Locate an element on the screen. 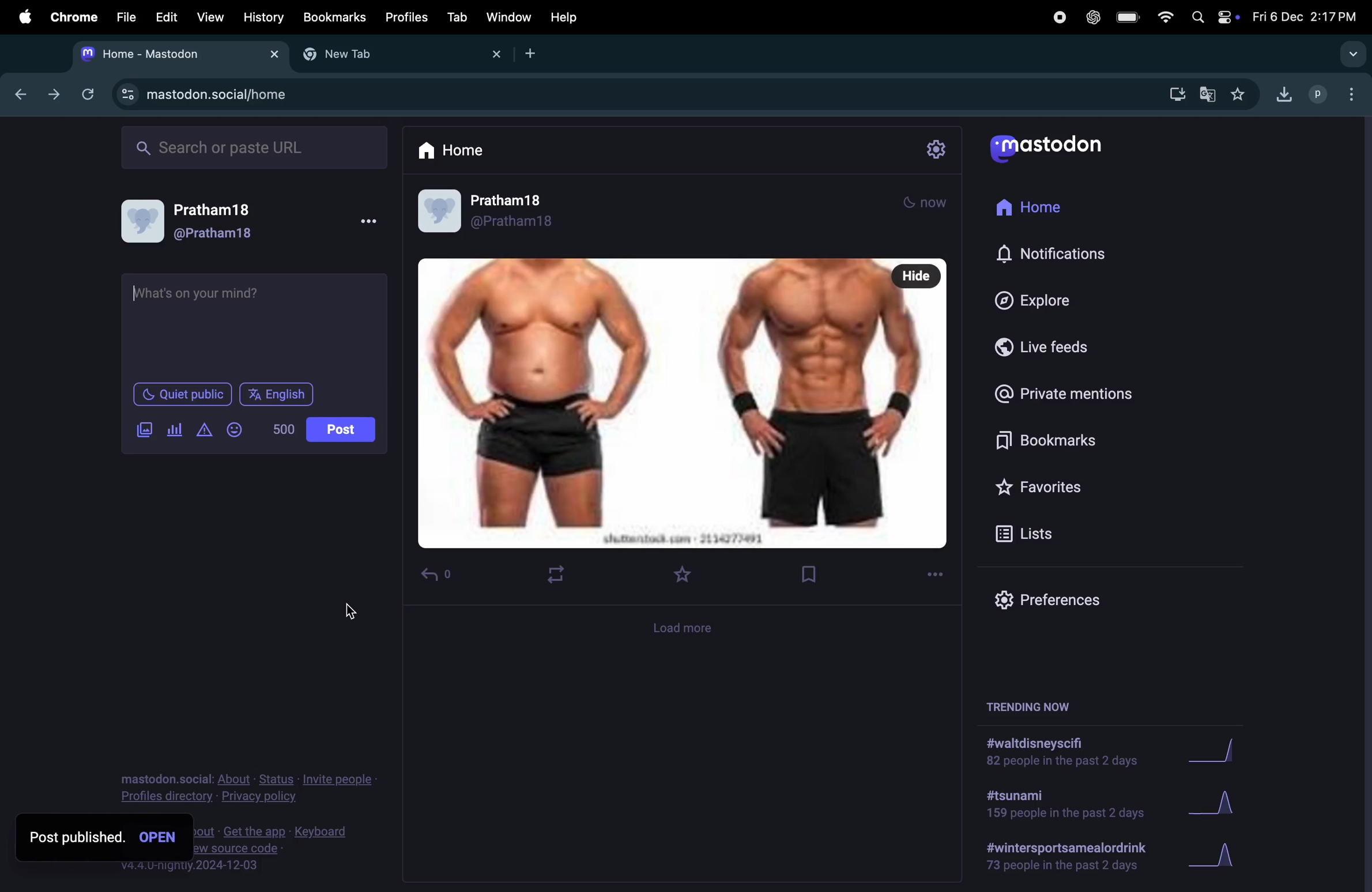 The image size is (1372, 892). pole is located at coordinates (175, 429).